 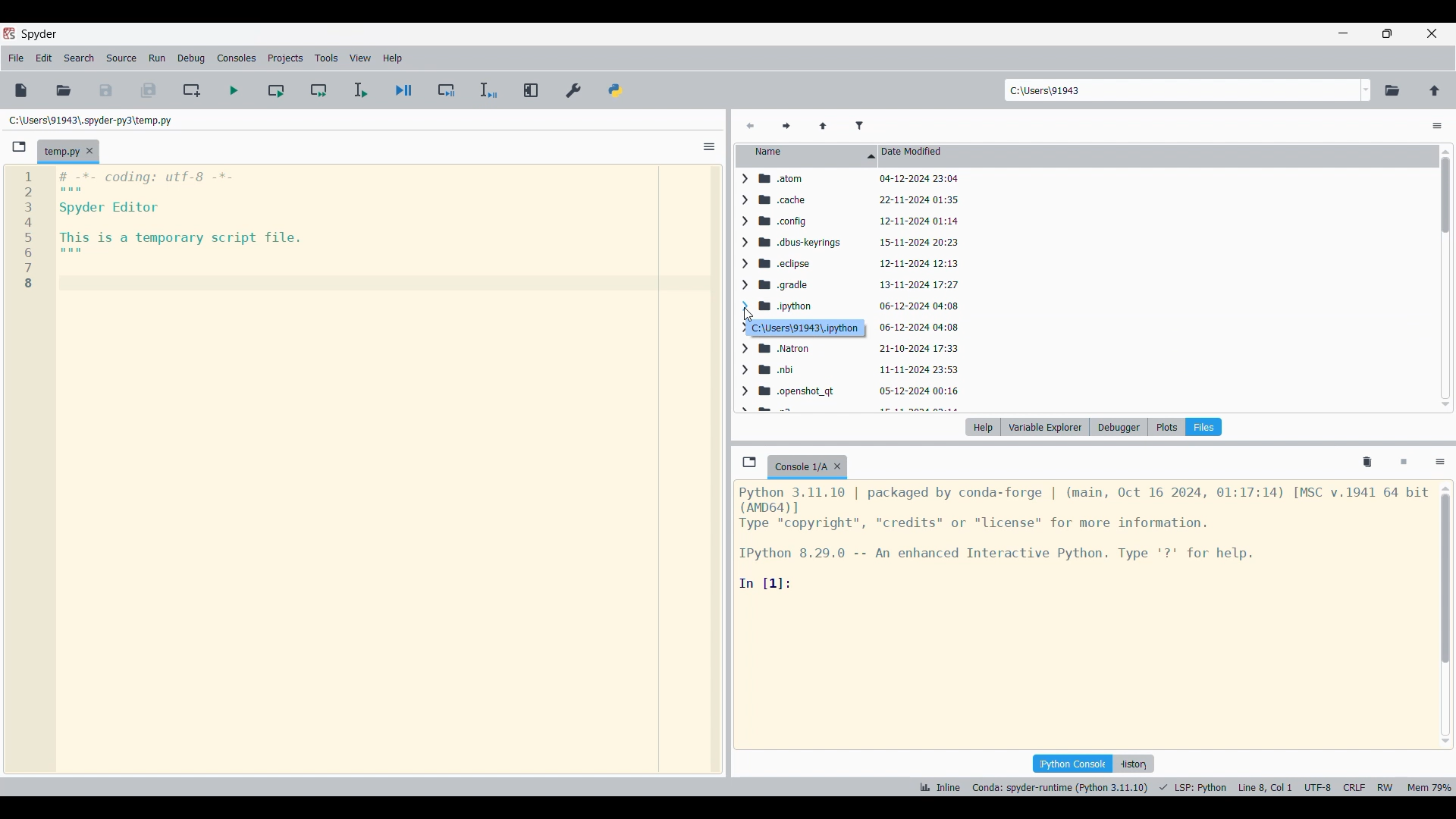 What do you see at coordinates (157, 58) in the screenshot?
I see `Run menu` at bounding box center [157, 58].